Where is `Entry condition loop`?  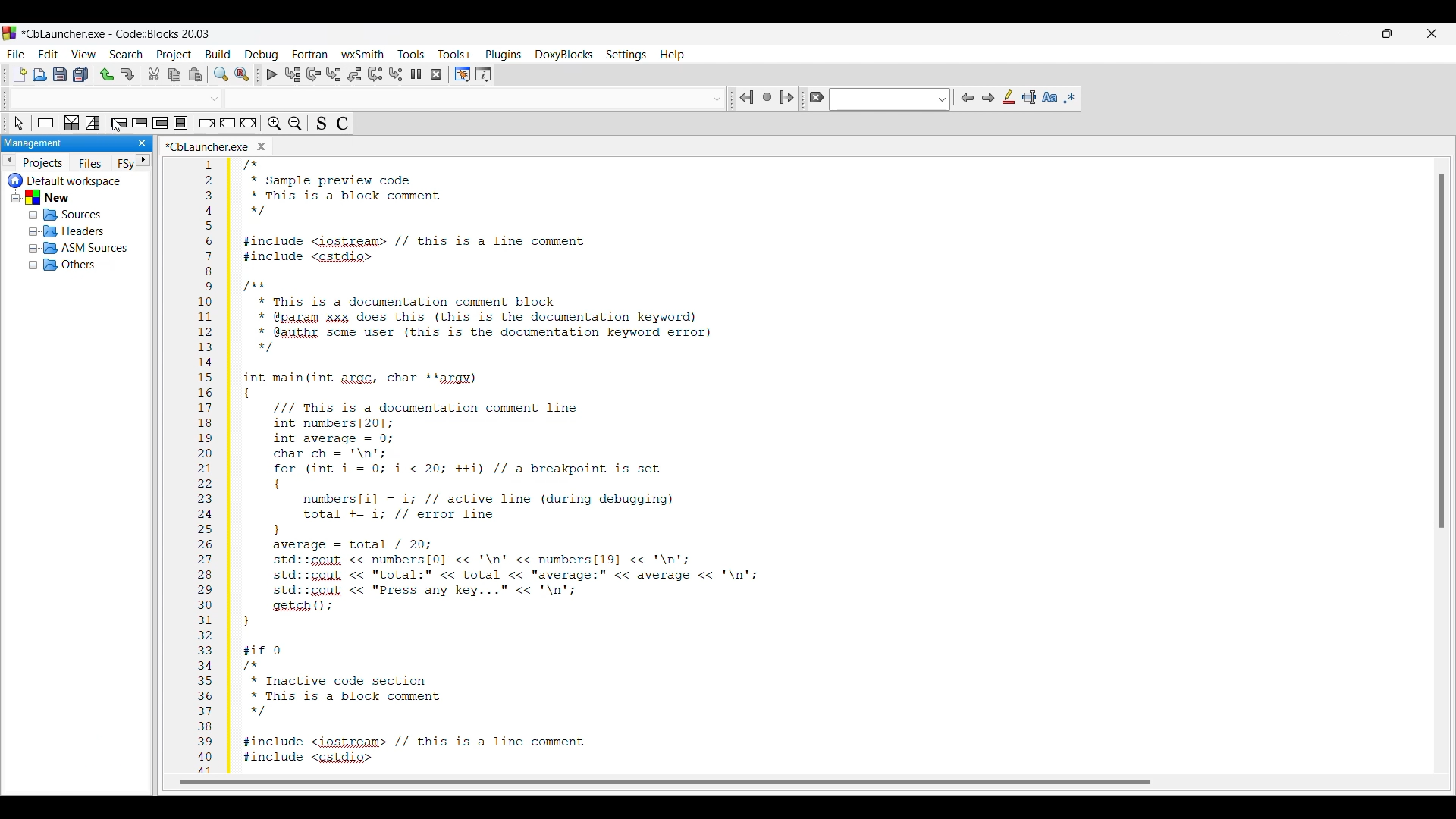 Entry condition loop is located at coordinates (119, 123).